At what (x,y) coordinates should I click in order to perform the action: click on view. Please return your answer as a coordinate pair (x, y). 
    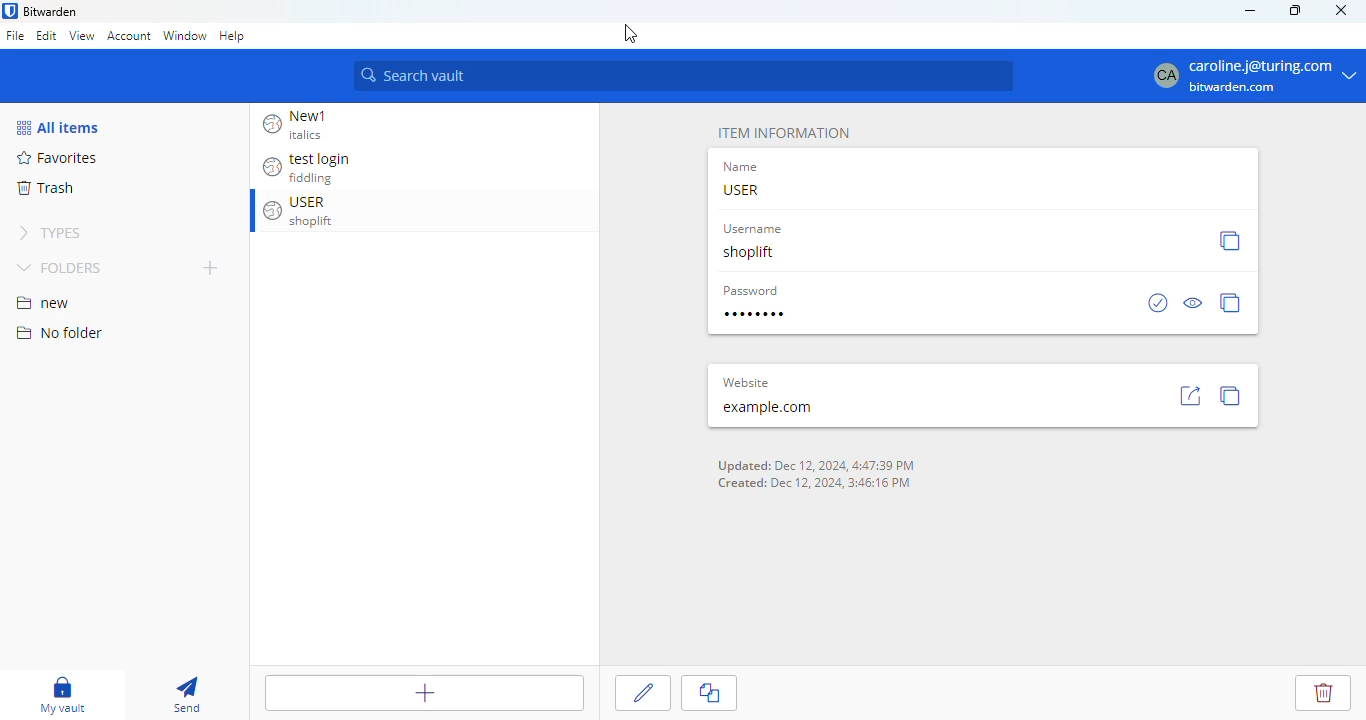
    Looking at the image, I should click on (81, 35).